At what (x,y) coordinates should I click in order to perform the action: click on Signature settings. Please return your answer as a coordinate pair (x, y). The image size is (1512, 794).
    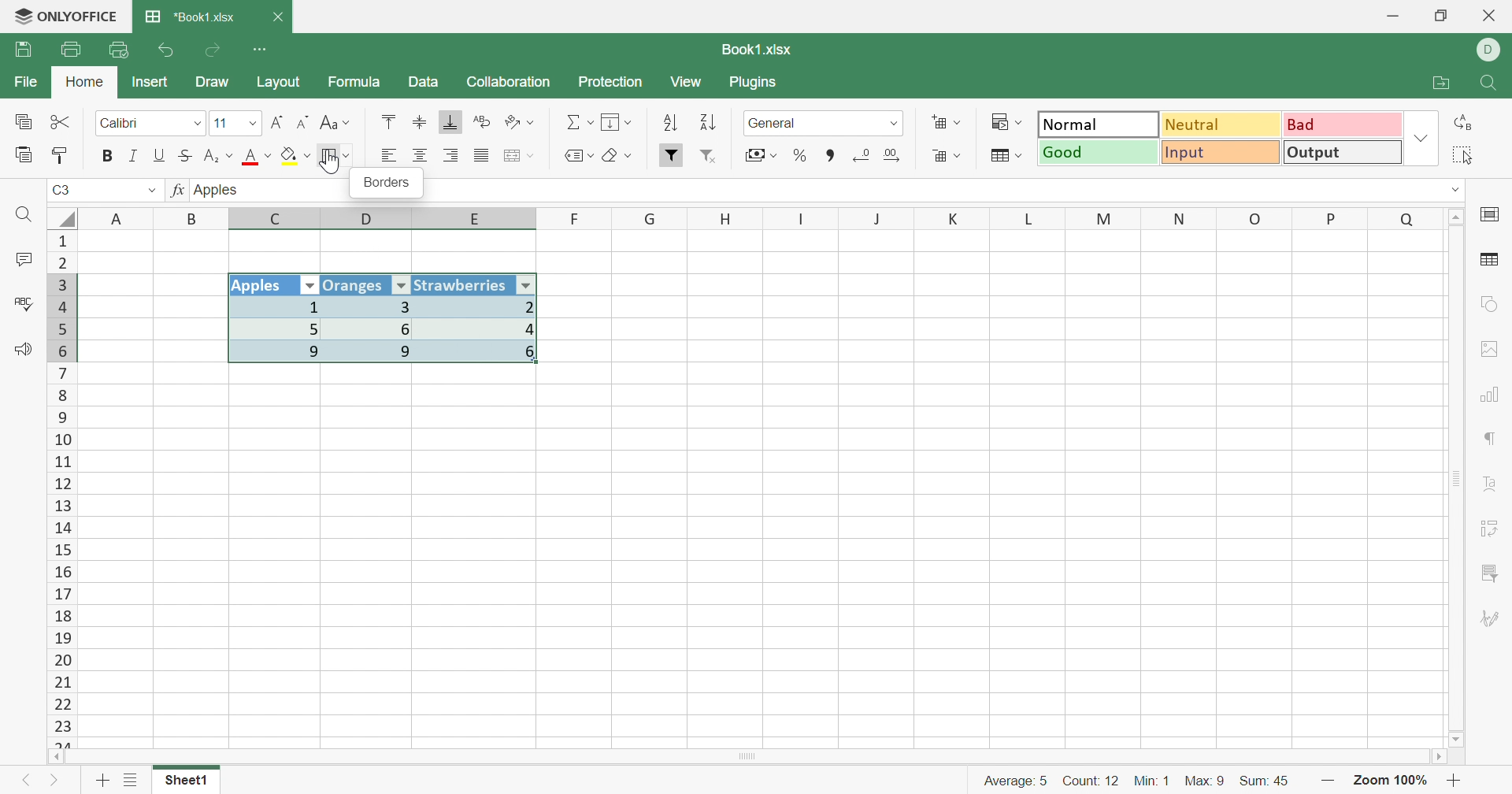
    Looking at the image, I should click on (1490, 619).